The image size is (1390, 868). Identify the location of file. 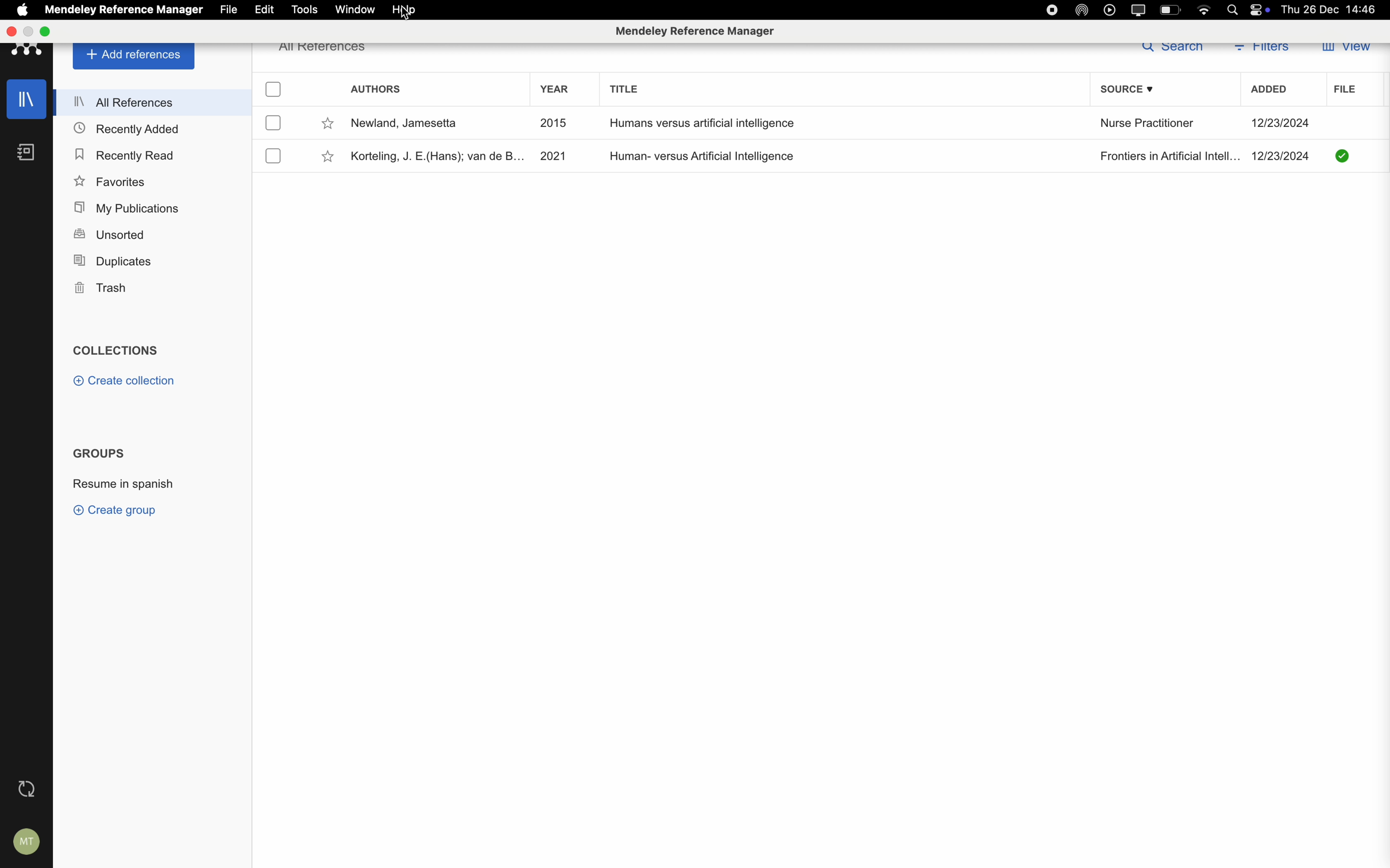
(227, 10).